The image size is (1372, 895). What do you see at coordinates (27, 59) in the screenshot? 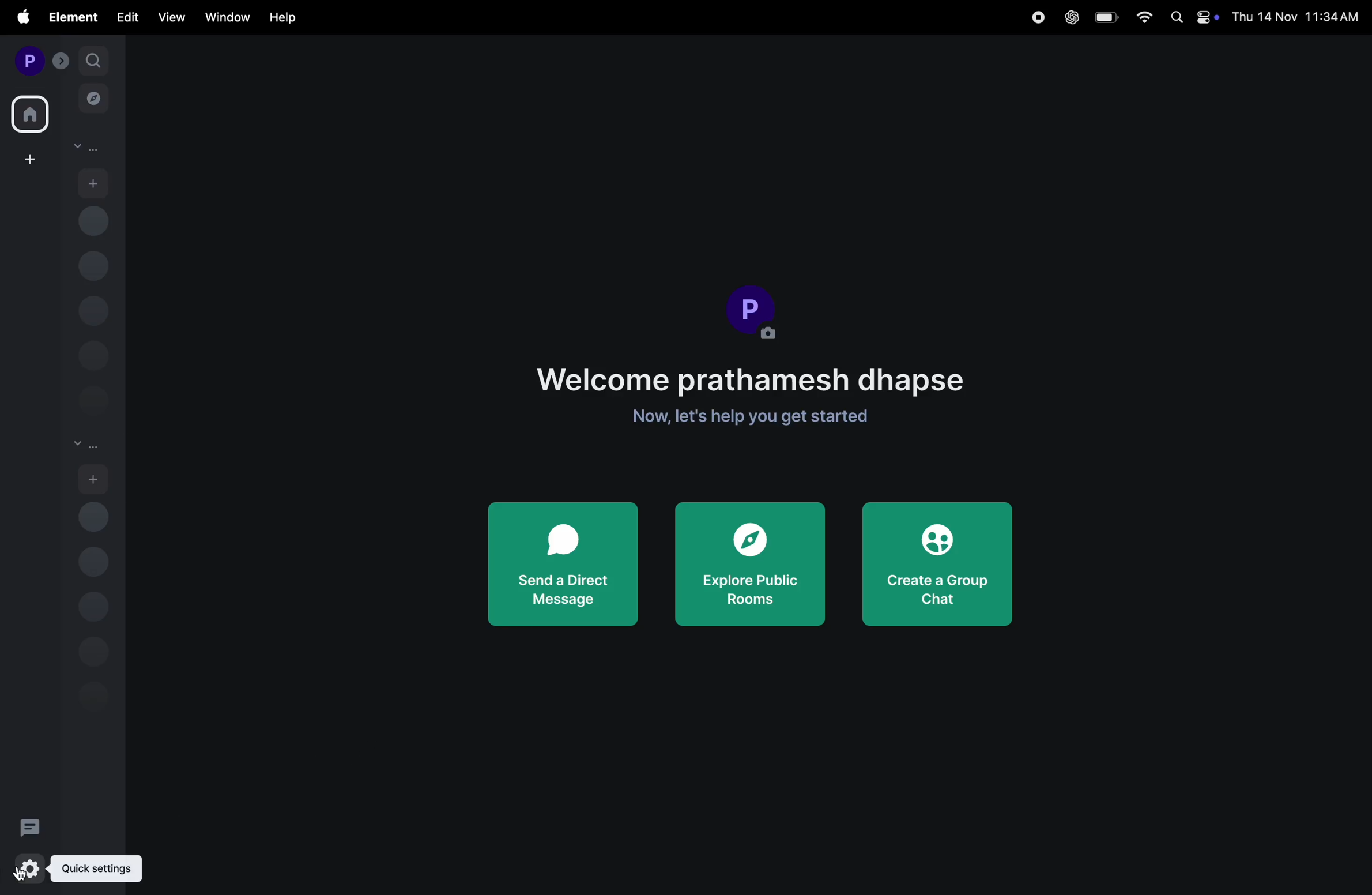
I see `profile` at bounding box center [27, 59].